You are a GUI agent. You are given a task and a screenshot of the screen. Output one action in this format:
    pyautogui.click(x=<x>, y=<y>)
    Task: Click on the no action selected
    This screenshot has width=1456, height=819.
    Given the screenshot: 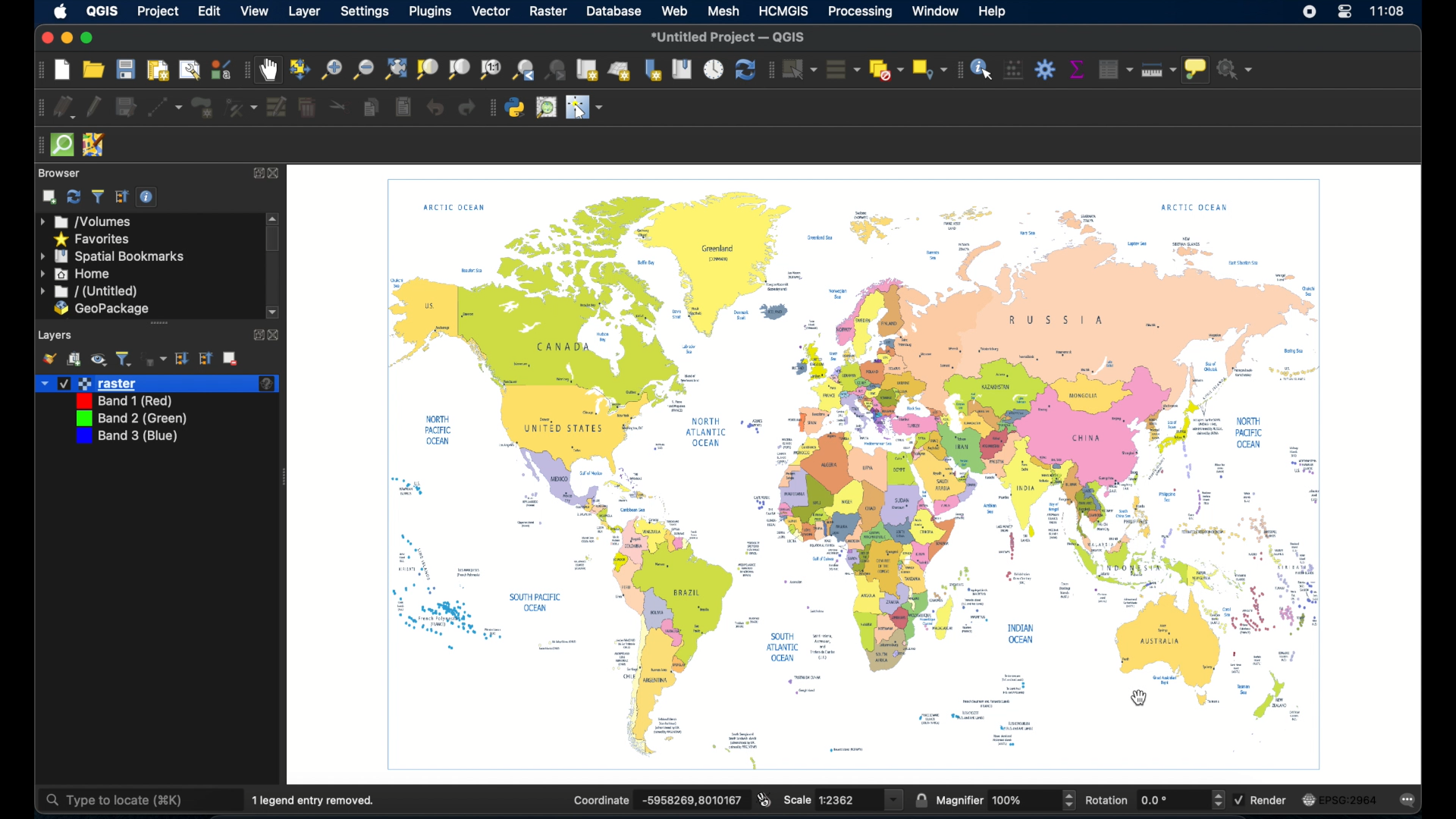 What is the action you would take?
    pyautogui.click(x=1237, y=69)
    